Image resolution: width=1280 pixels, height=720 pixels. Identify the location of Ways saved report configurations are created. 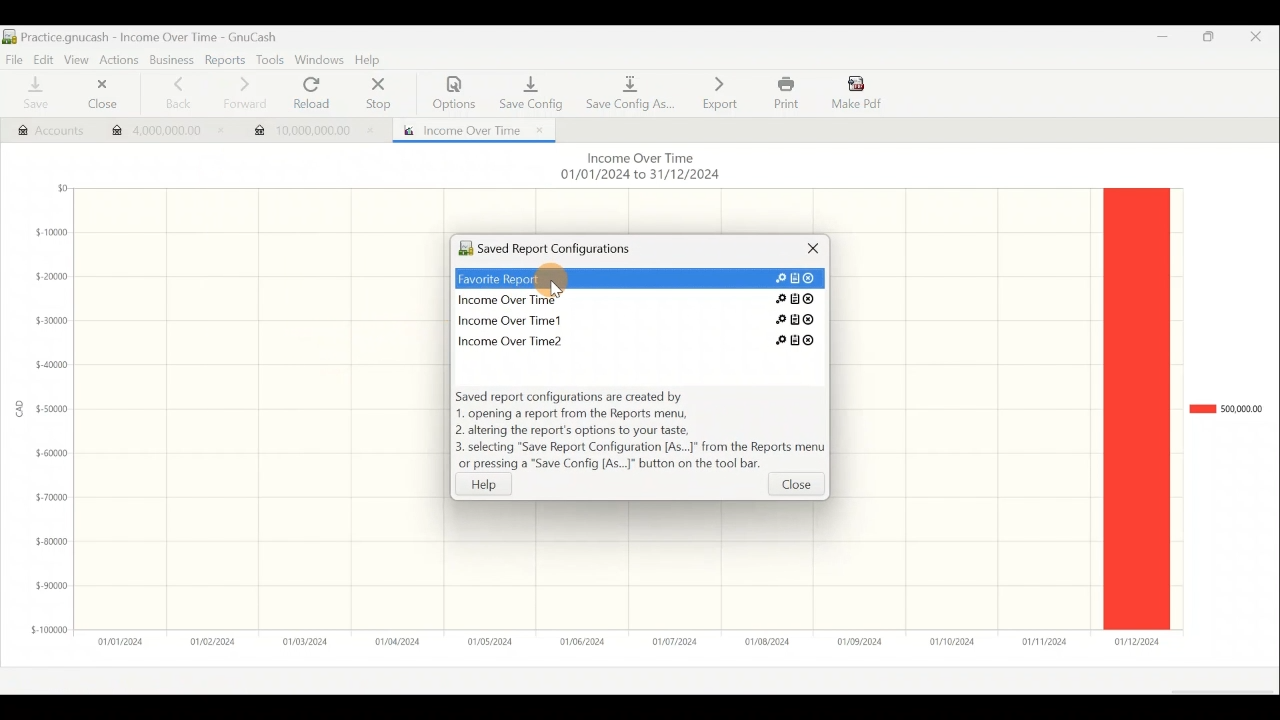
(640, 432).